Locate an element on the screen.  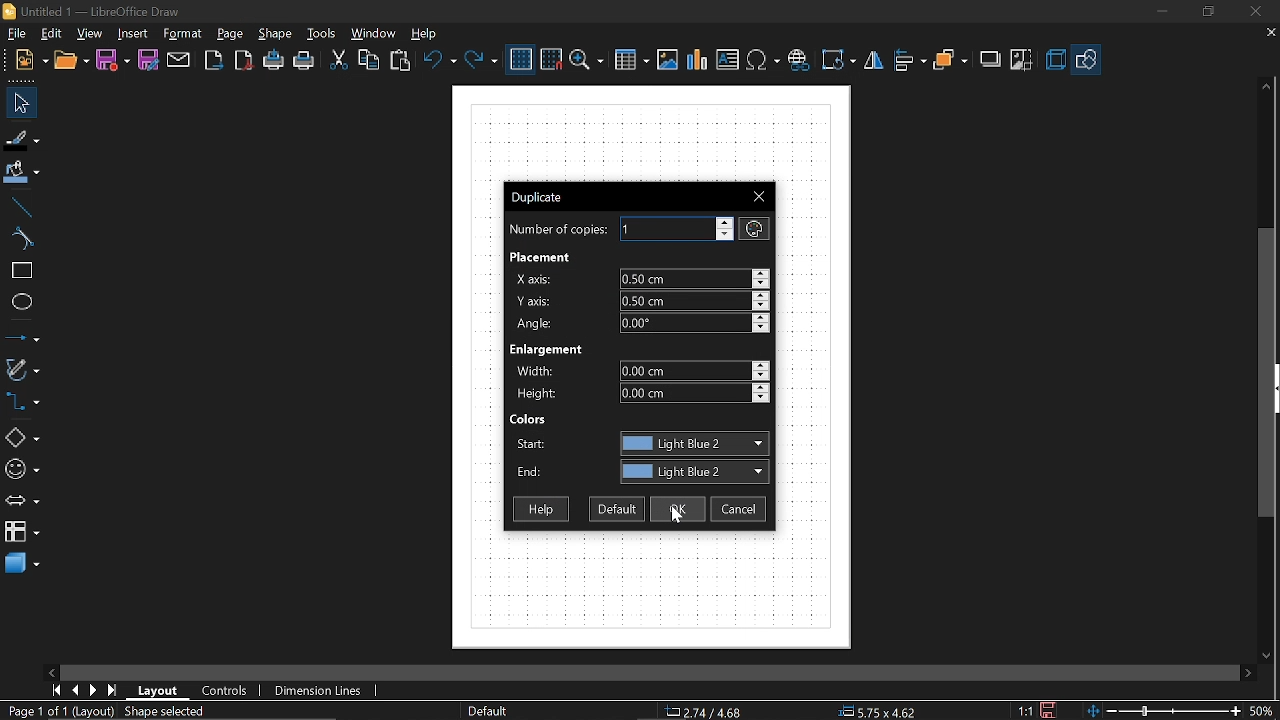
Dimension lines is located at coordinates (319, 691).